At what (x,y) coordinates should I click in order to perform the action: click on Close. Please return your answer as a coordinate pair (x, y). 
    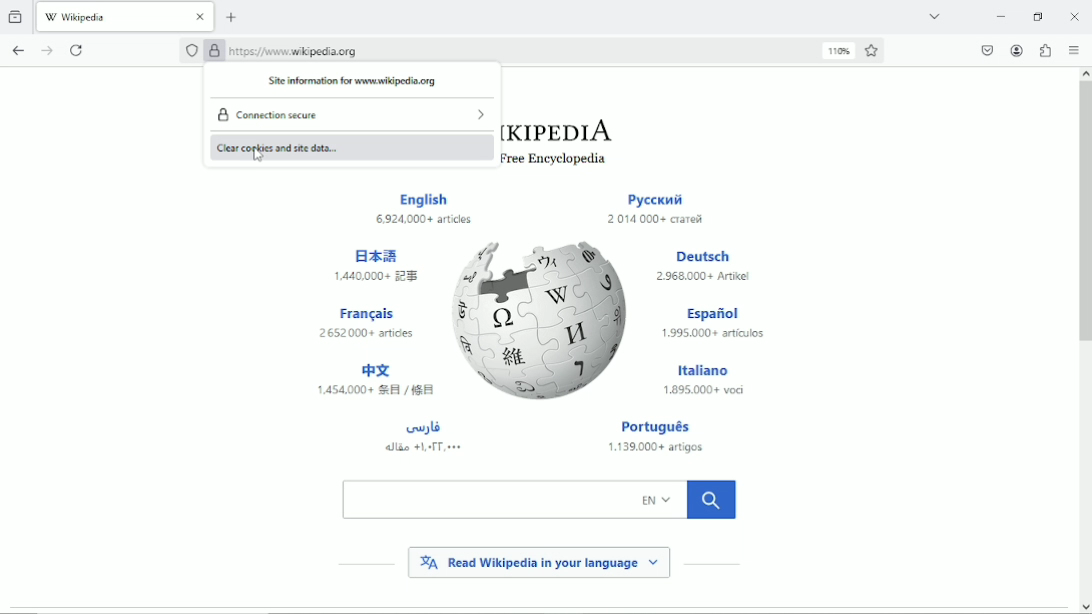
    Looking at the image, I should click on (1075, 16).